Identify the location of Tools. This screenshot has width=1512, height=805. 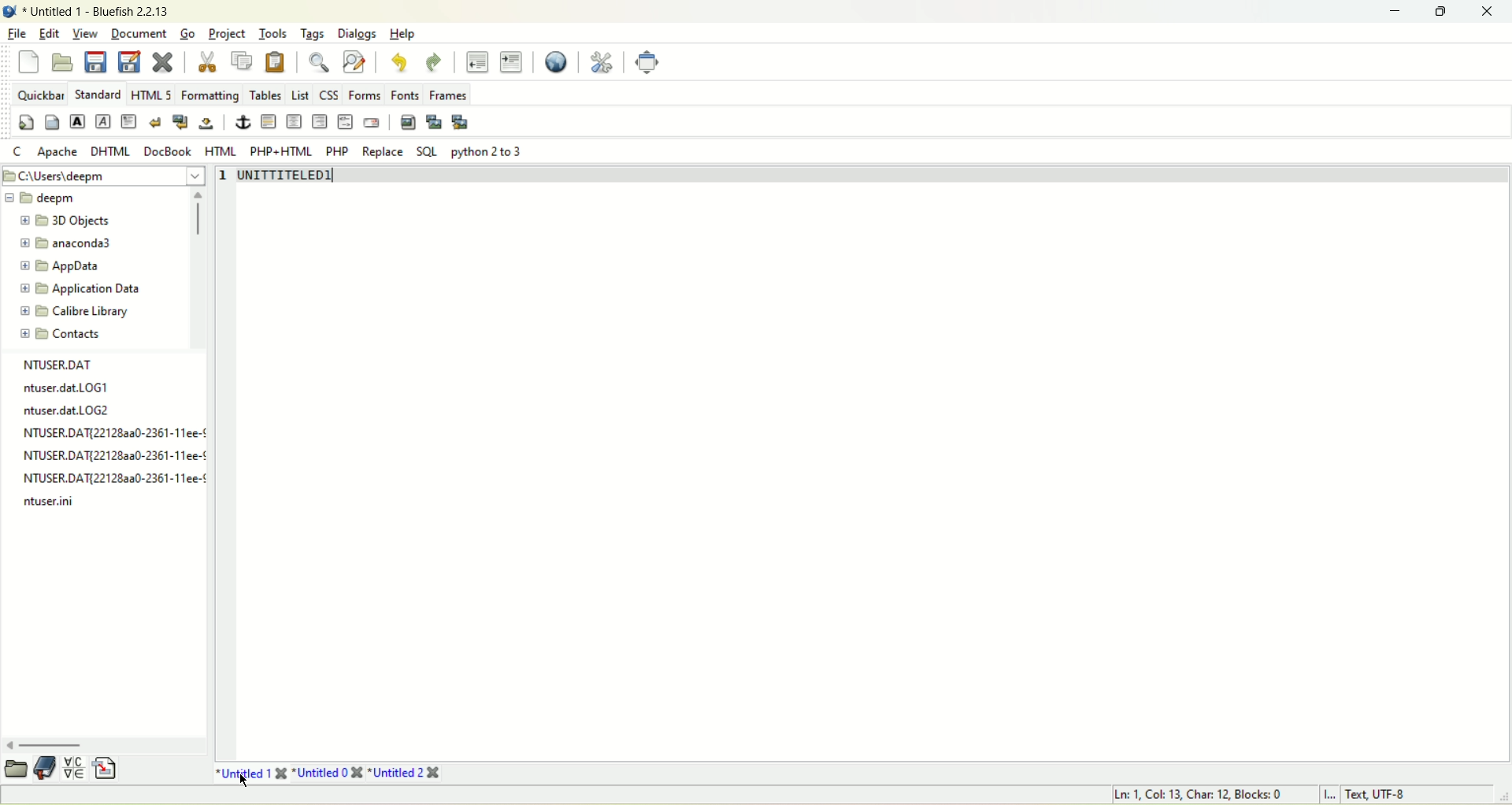
(271, 33).